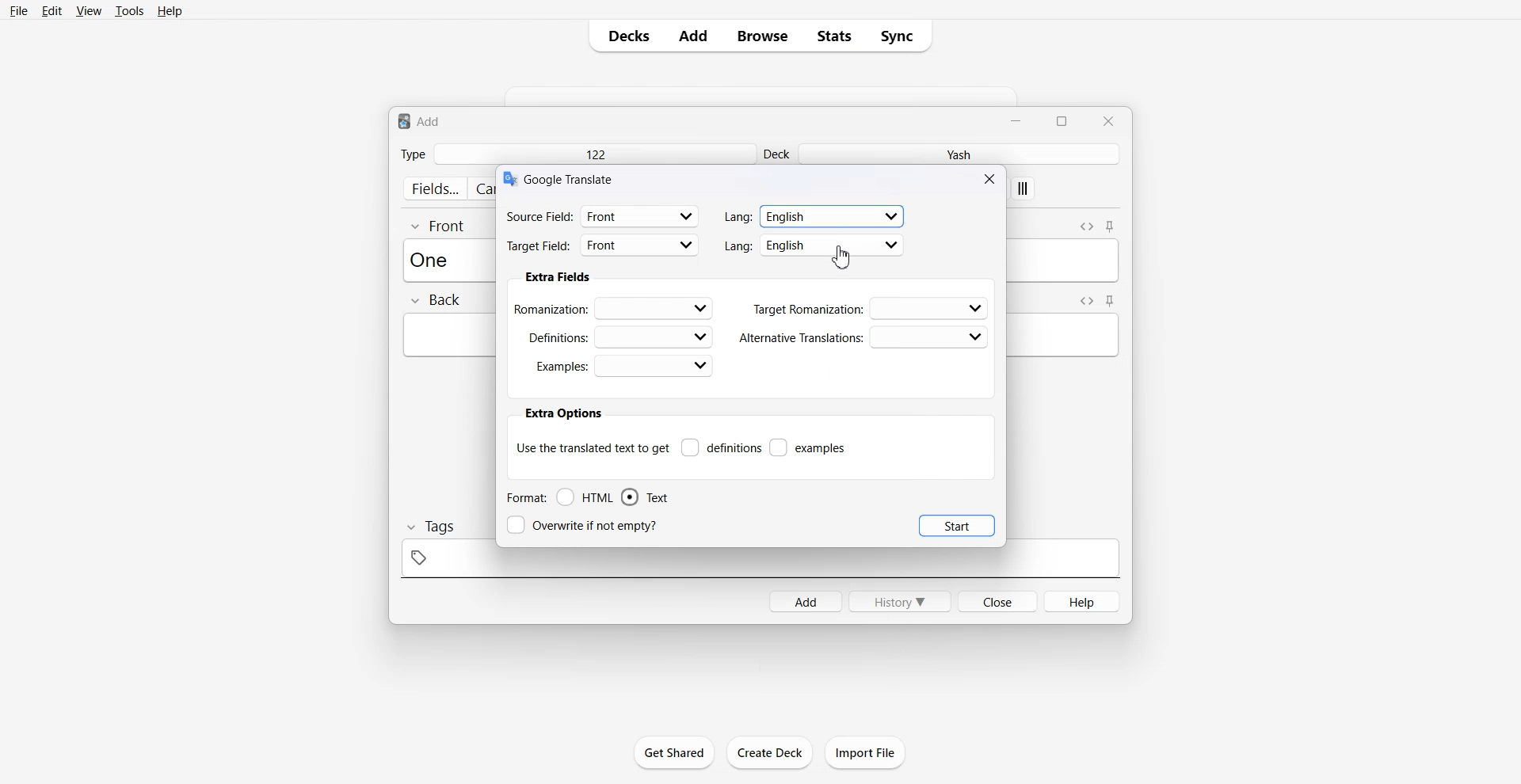  I want to click on Help, so click(1083, 601).